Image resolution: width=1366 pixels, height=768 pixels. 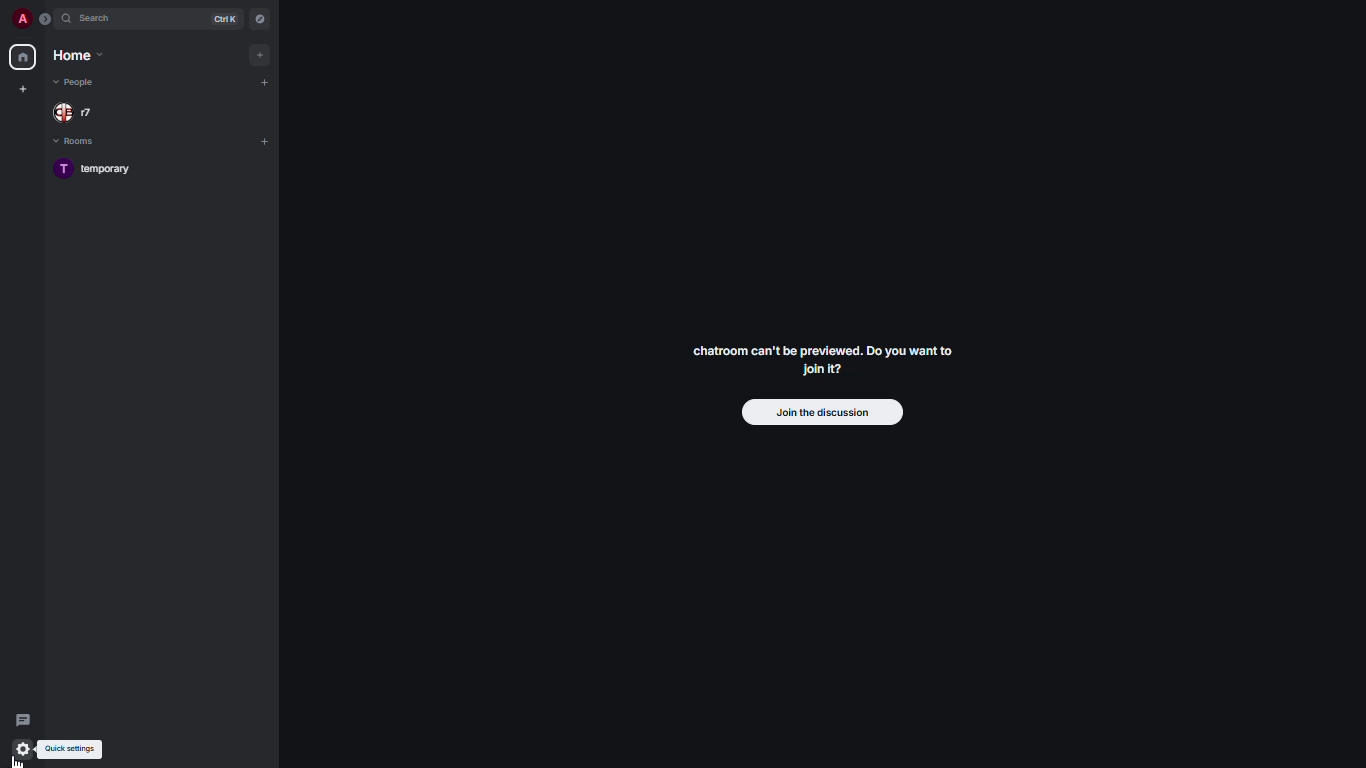 What do you see at coordinates (22, 19) in the screenshot?
I see `profile` at bounding box center [22, 19].